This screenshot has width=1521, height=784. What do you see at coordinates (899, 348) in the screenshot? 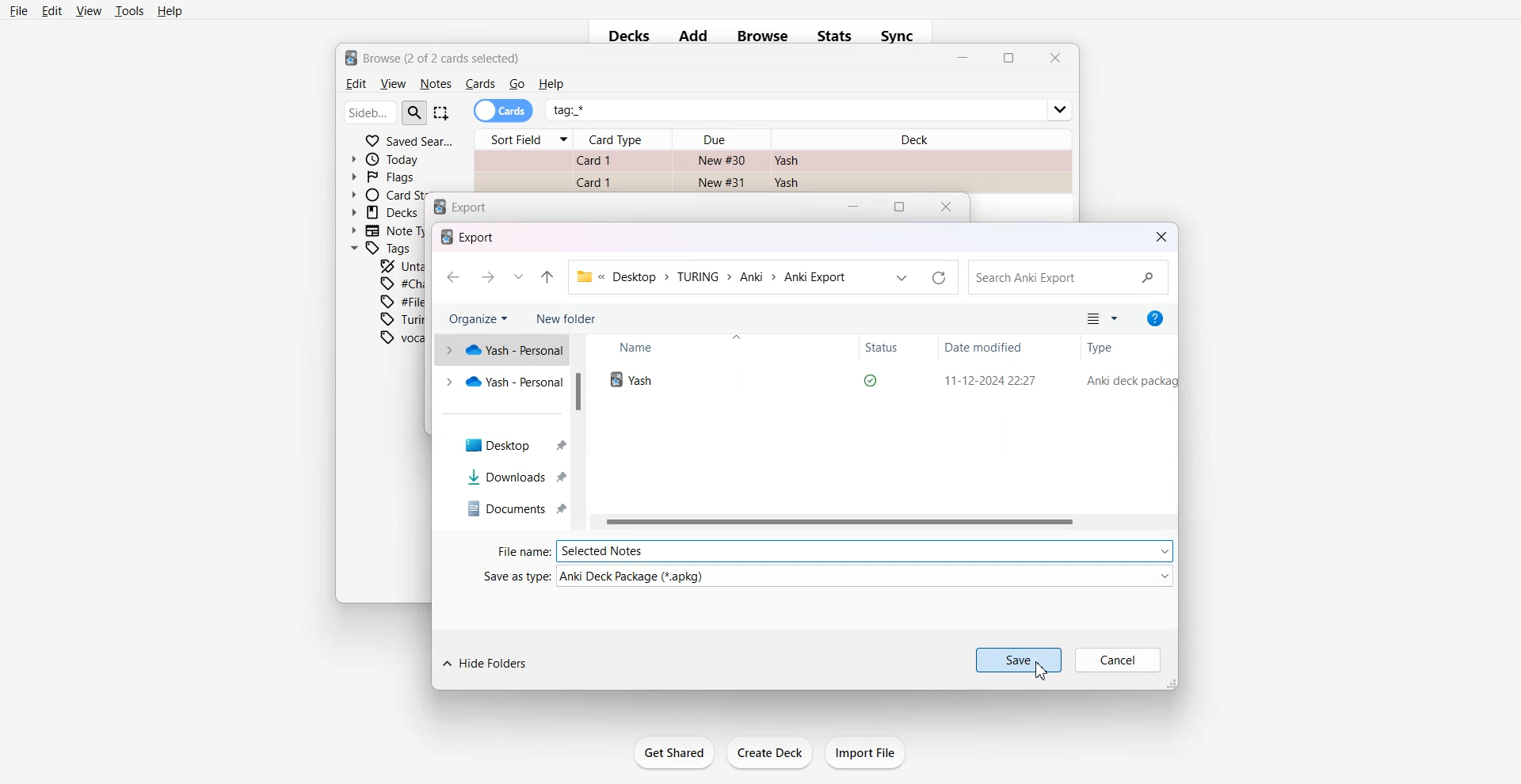
I see `Status` at bounding box center [899, 348].